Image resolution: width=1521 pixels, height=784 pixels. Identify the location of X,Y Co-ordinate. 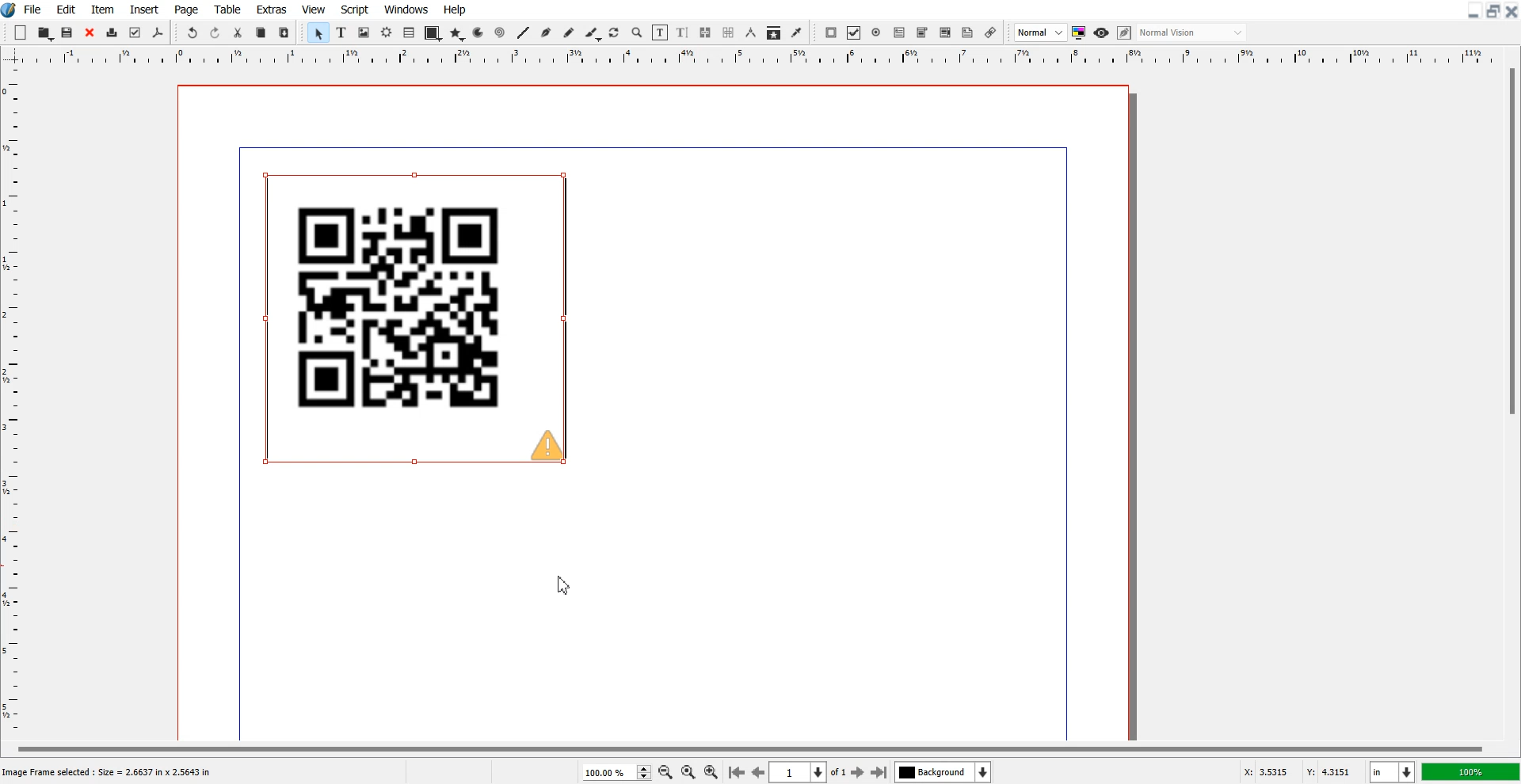
(1301, 771).